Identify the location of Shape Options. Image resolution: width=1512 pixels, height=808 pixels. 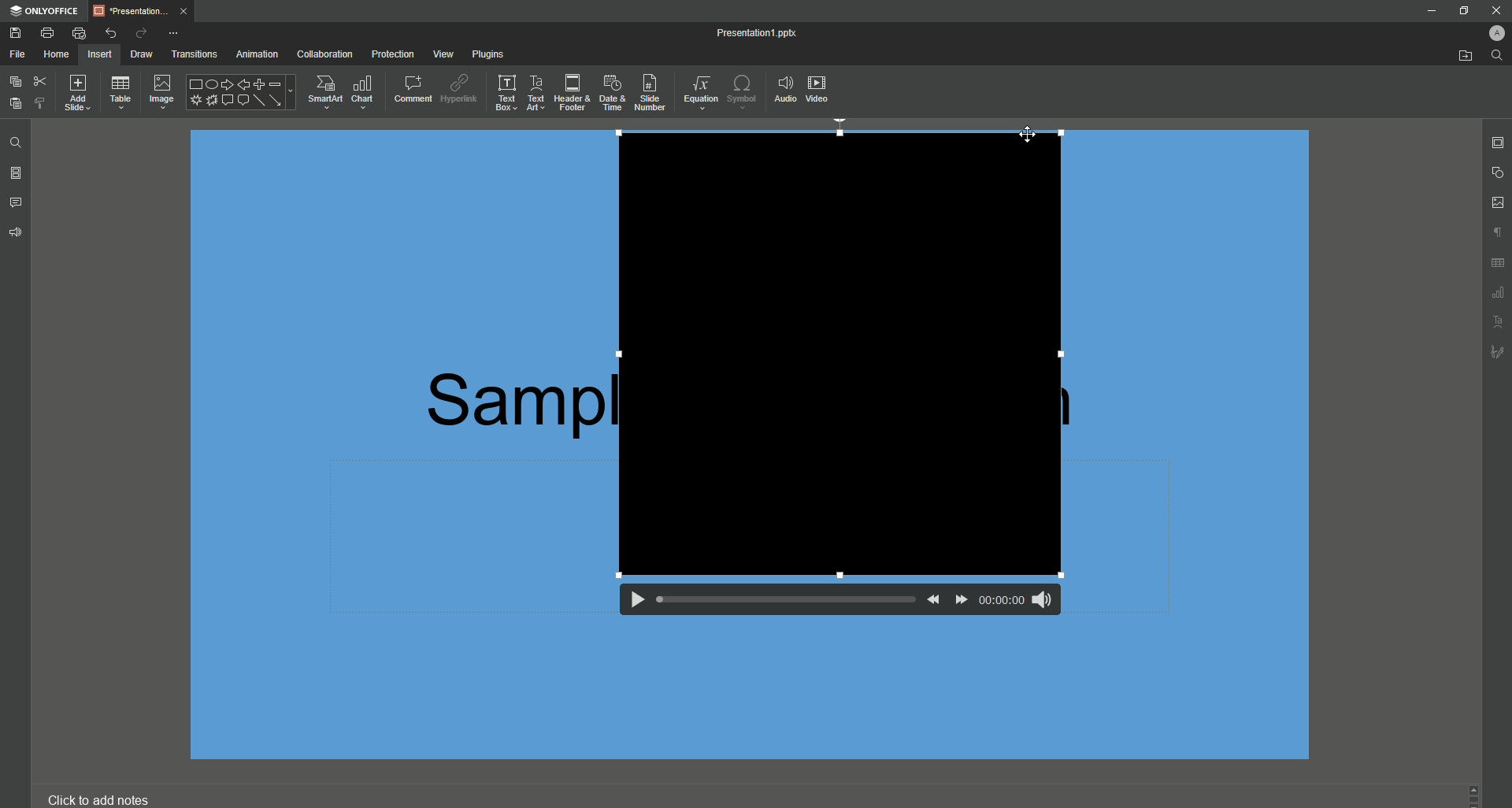
(240, 93).